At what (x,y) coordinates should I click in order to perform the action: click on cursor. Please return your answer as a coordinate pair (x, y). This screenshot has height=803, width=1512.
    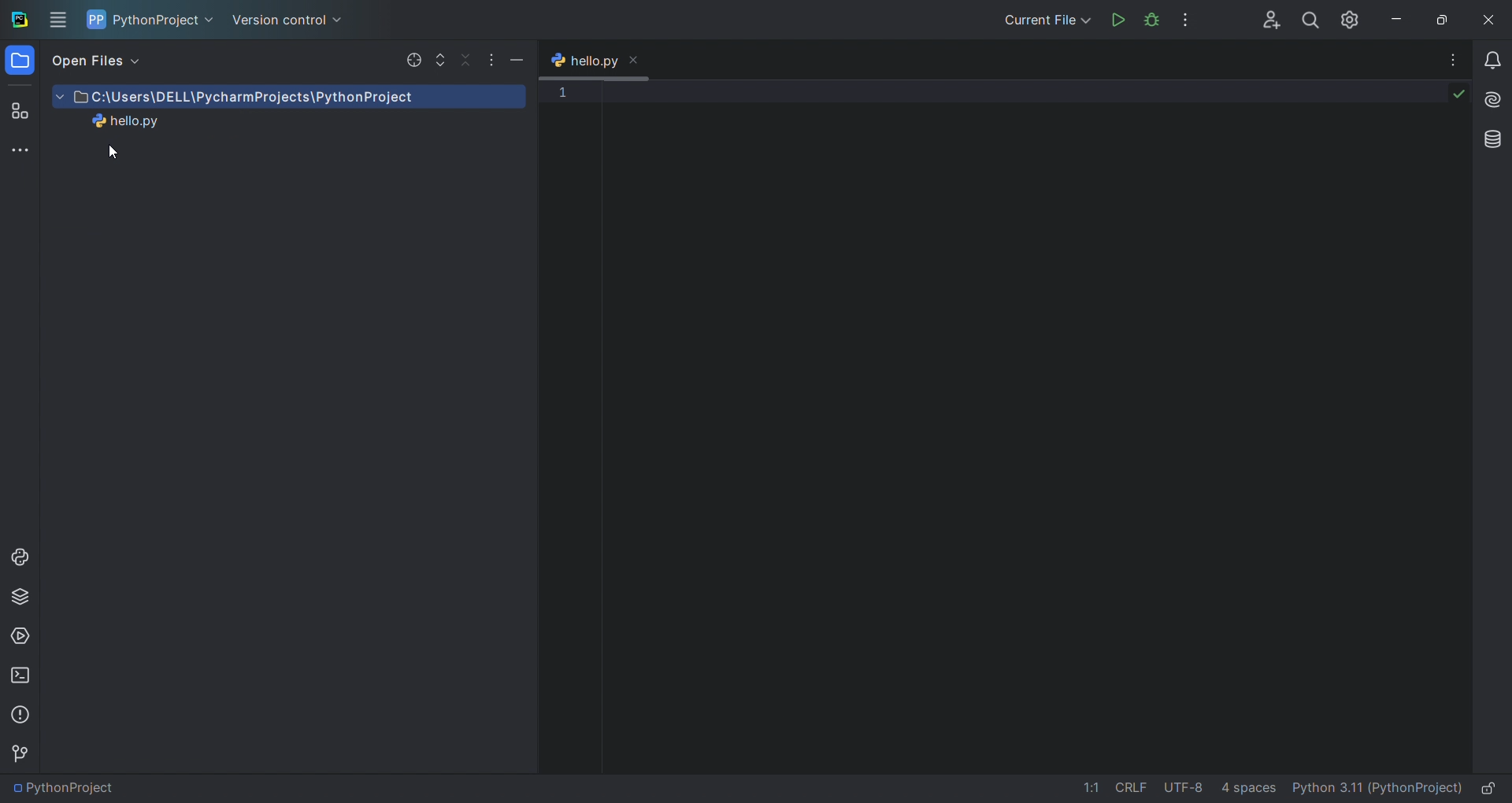
    Looking at the image, I should click on (112, 153).